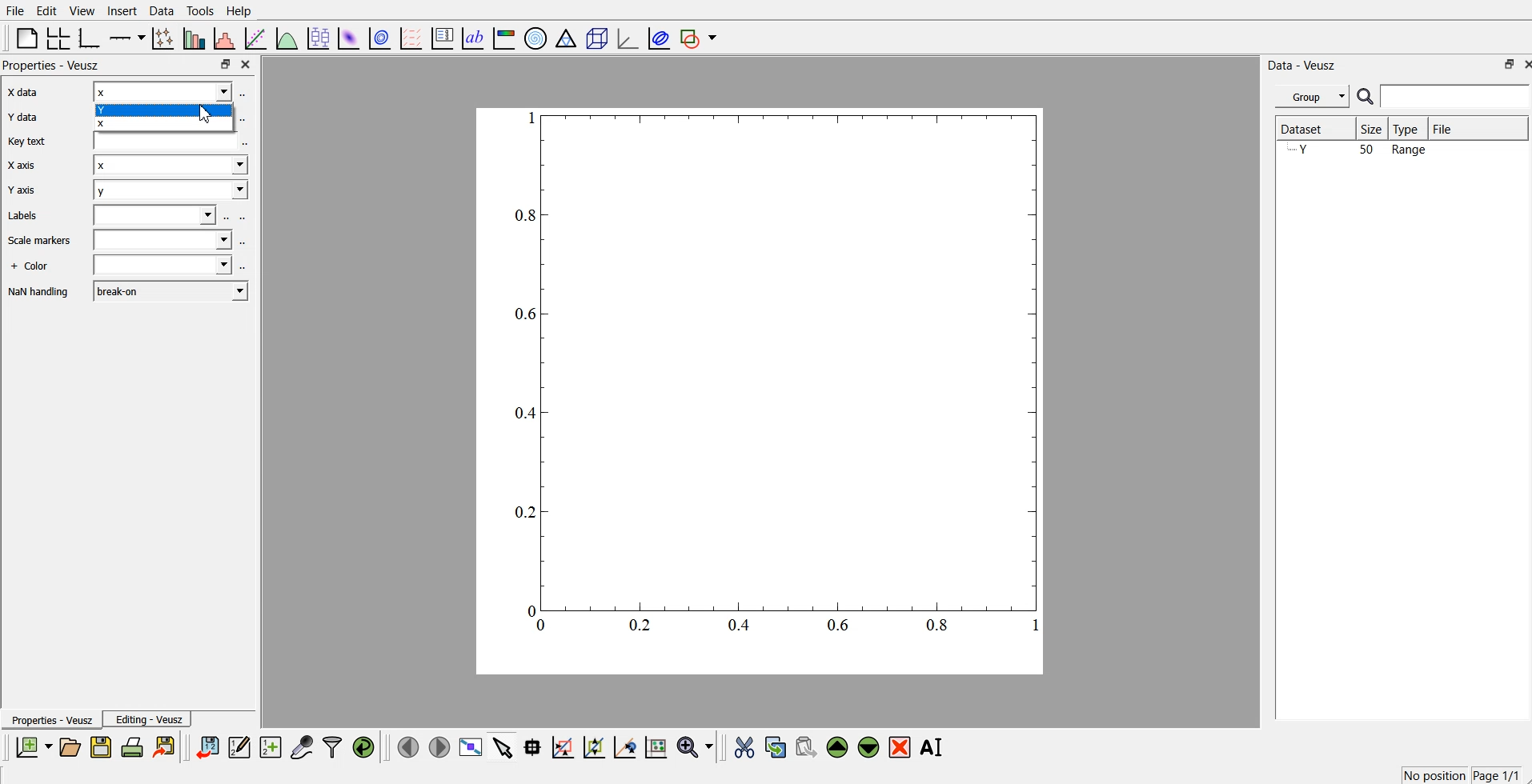 This screenshot has width=1532, height=784. I want to click on search bar, so click(1443, 96).